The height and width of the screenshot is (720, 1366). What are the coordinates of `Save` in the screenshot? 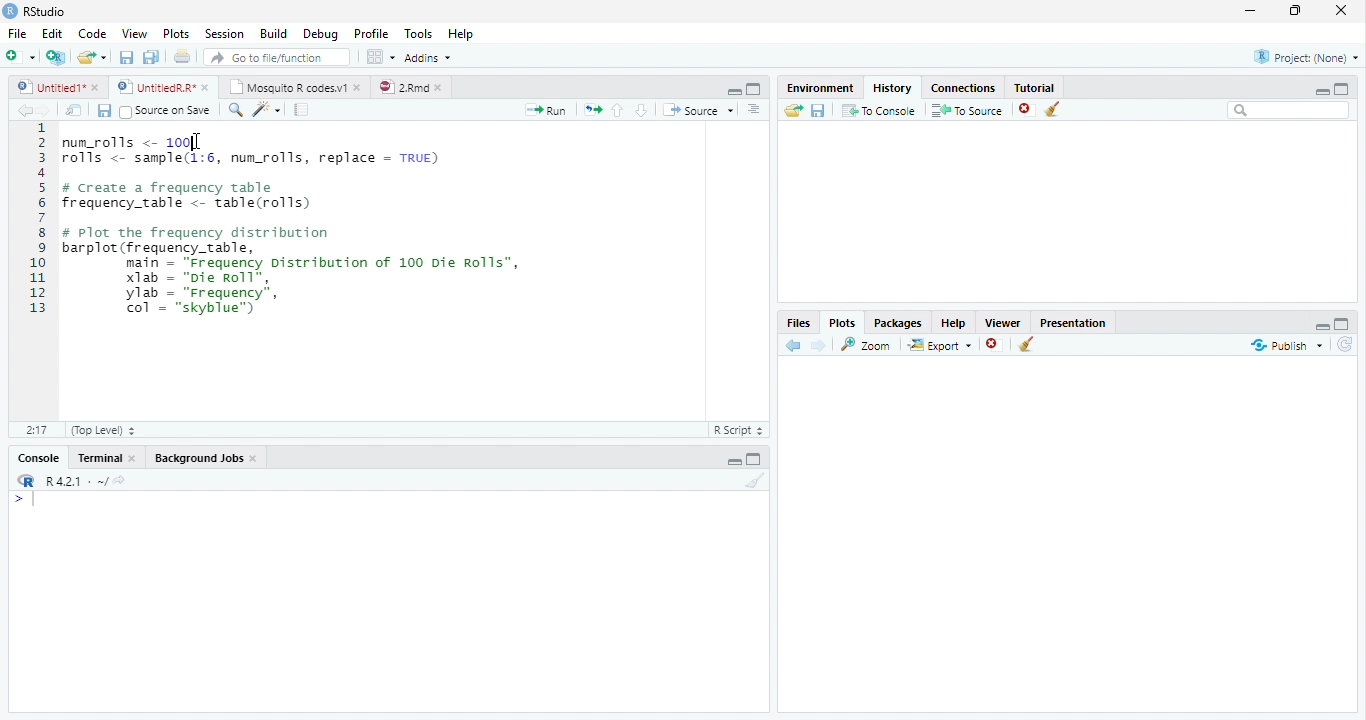 It's located at (103, 110).